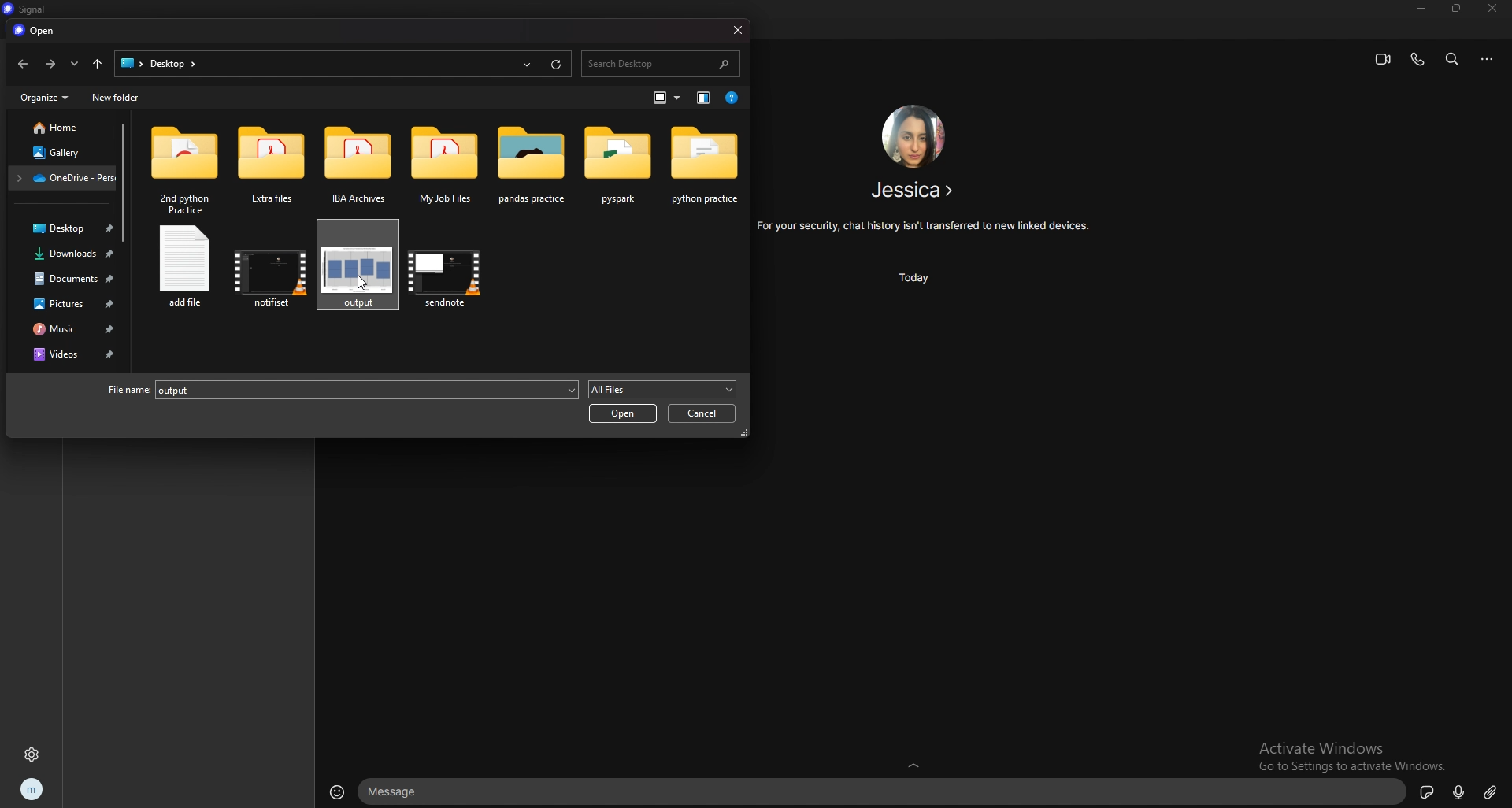 Image resolution: width=1512 pixels, height=808 pixels. What do you see at coordinates (556, 63) in the screenshot?
I see `refresh` at bounding box center [556, 63].